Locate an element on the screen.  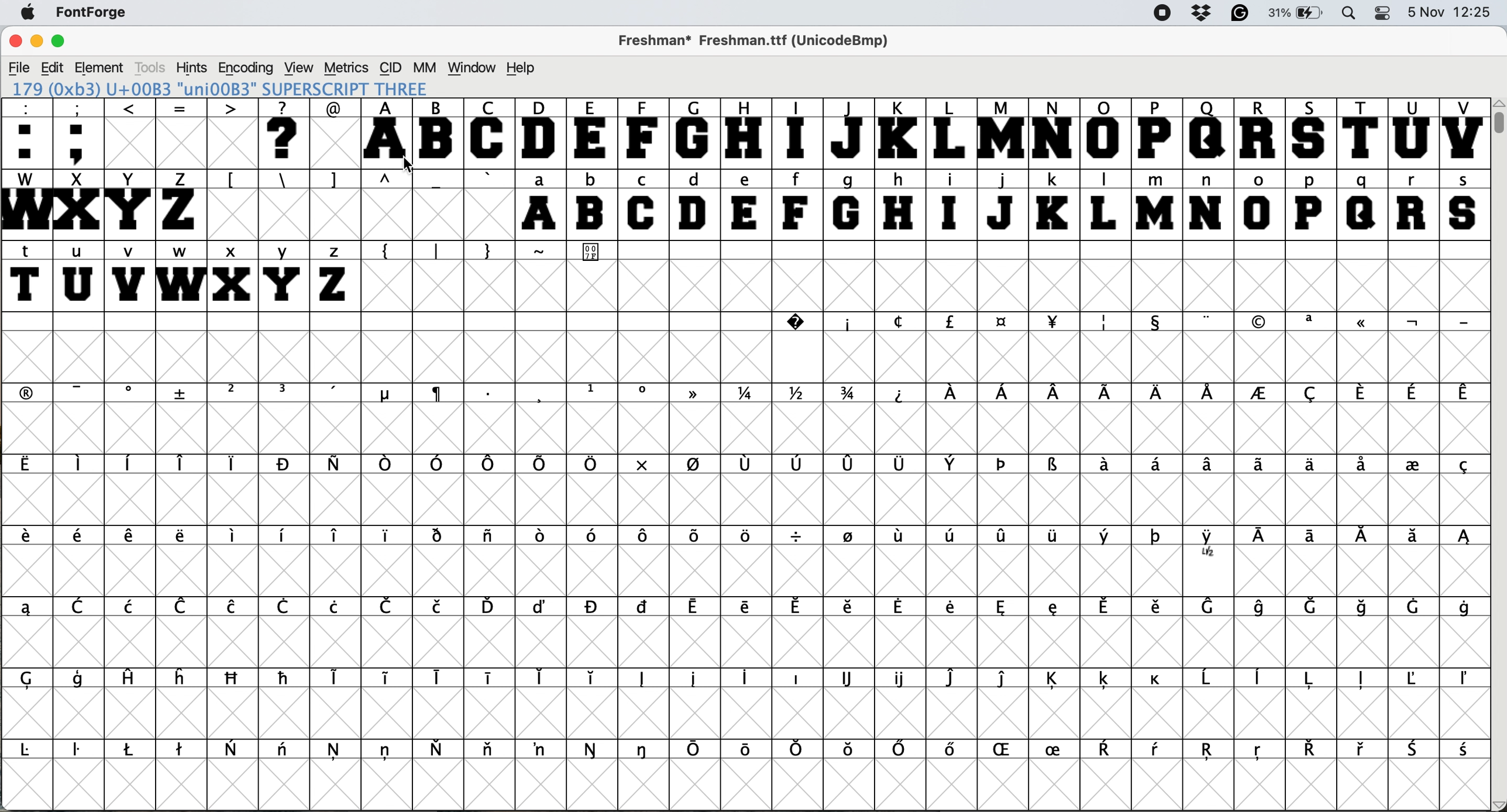
symbol is located at coordinates (1261, 679).